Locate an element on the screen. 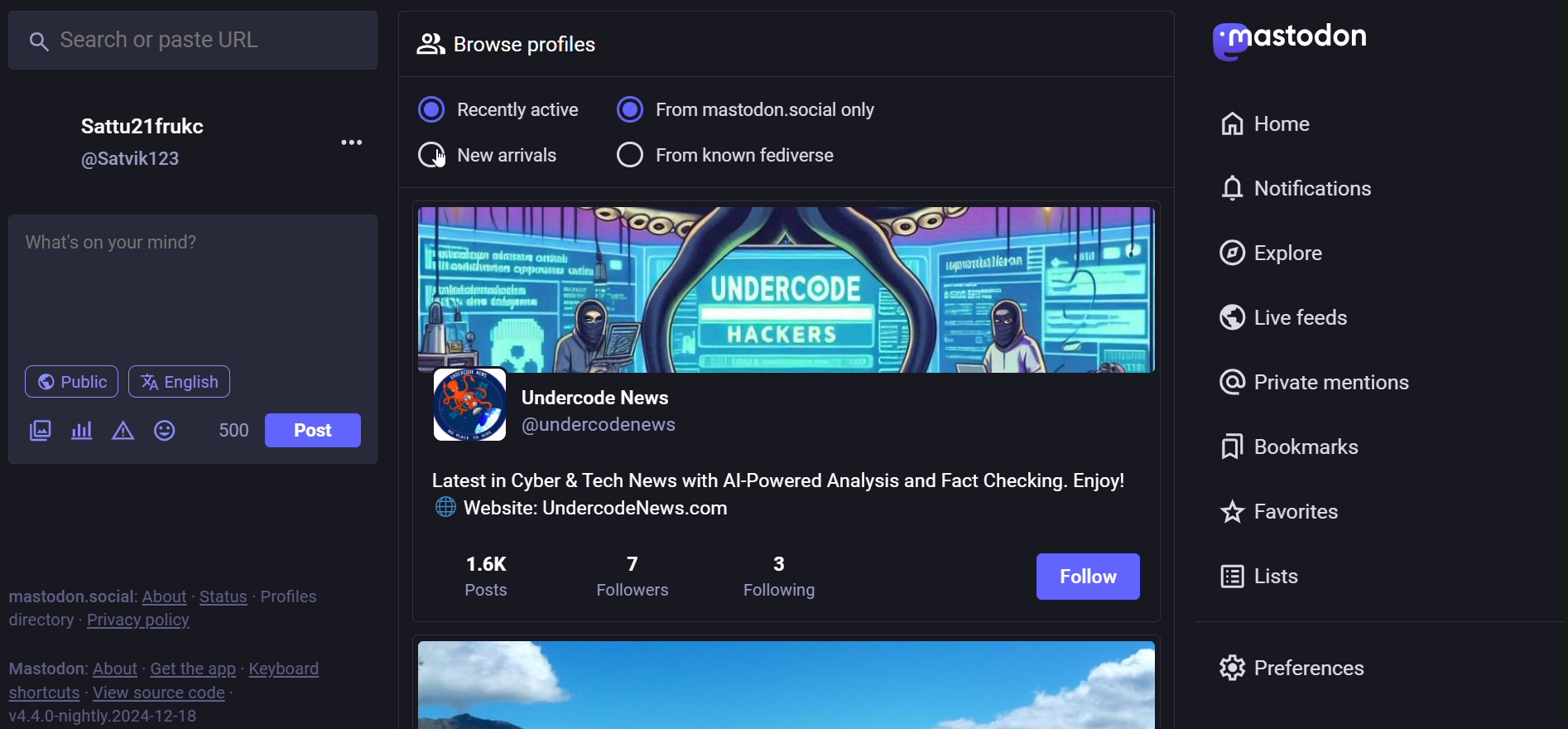 The image size is (1568, 729). follow is located at coordinates (1085, 575).